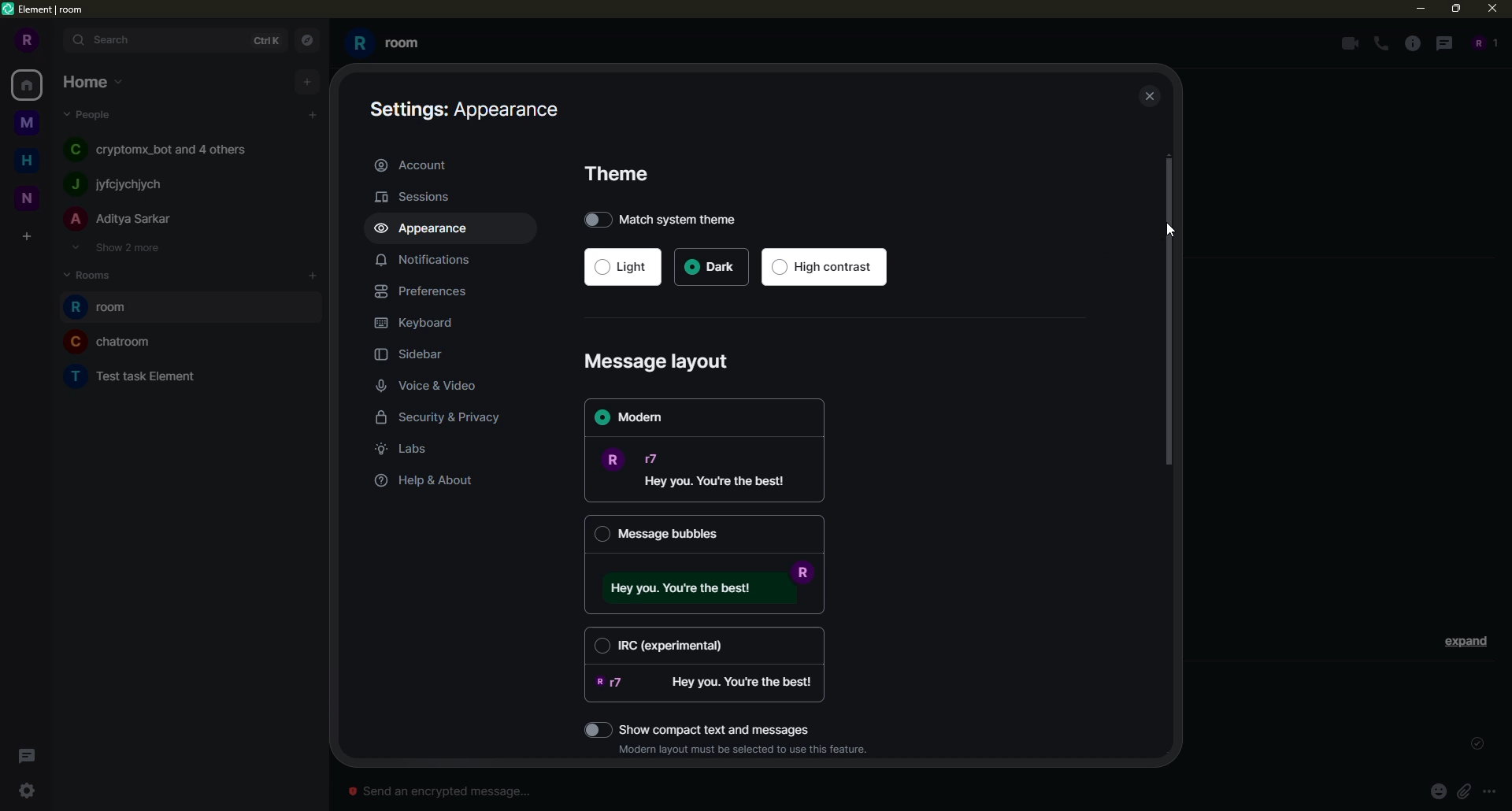  I want to click on message layout, so click(661, 362).